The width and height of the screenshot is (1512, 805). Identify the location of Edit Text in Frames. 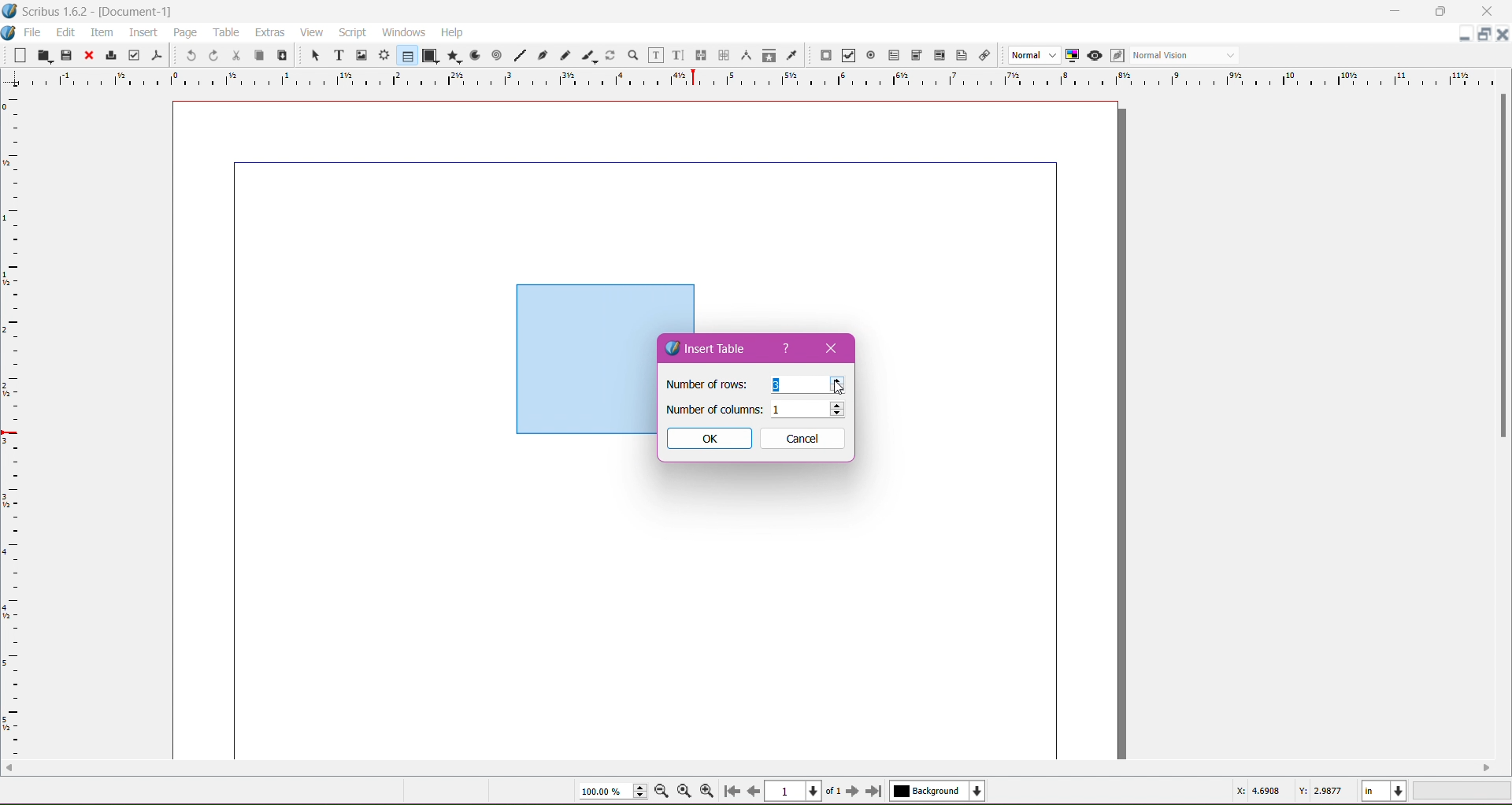
(656, 55).